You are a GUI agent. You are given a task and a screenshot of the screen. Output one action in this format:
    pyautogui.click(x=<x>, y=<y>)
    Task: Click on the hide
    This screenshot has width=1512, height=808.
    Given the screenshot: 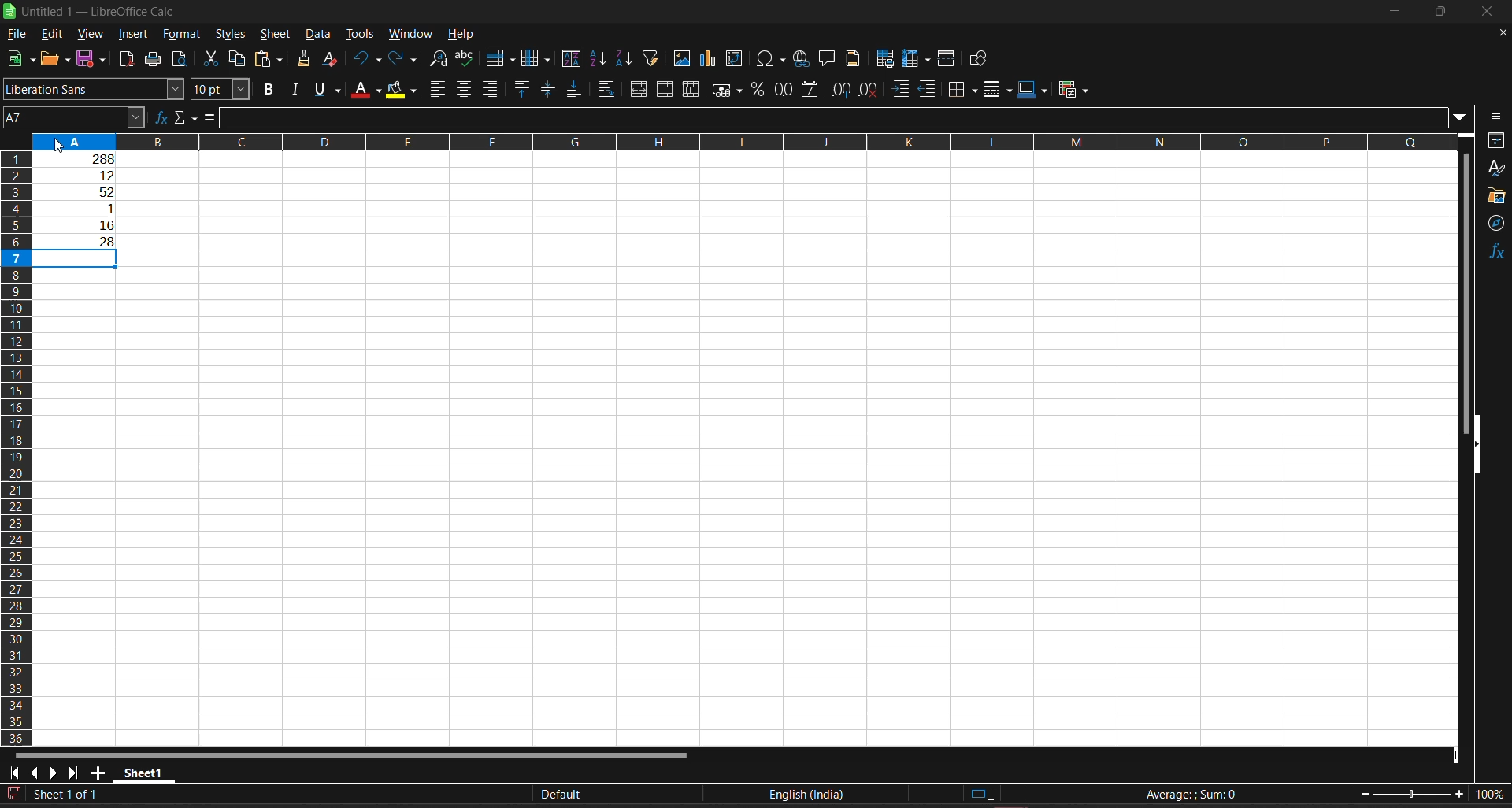 What is the action you would take?
    pyautogui.click(x=1477, y=444)
    